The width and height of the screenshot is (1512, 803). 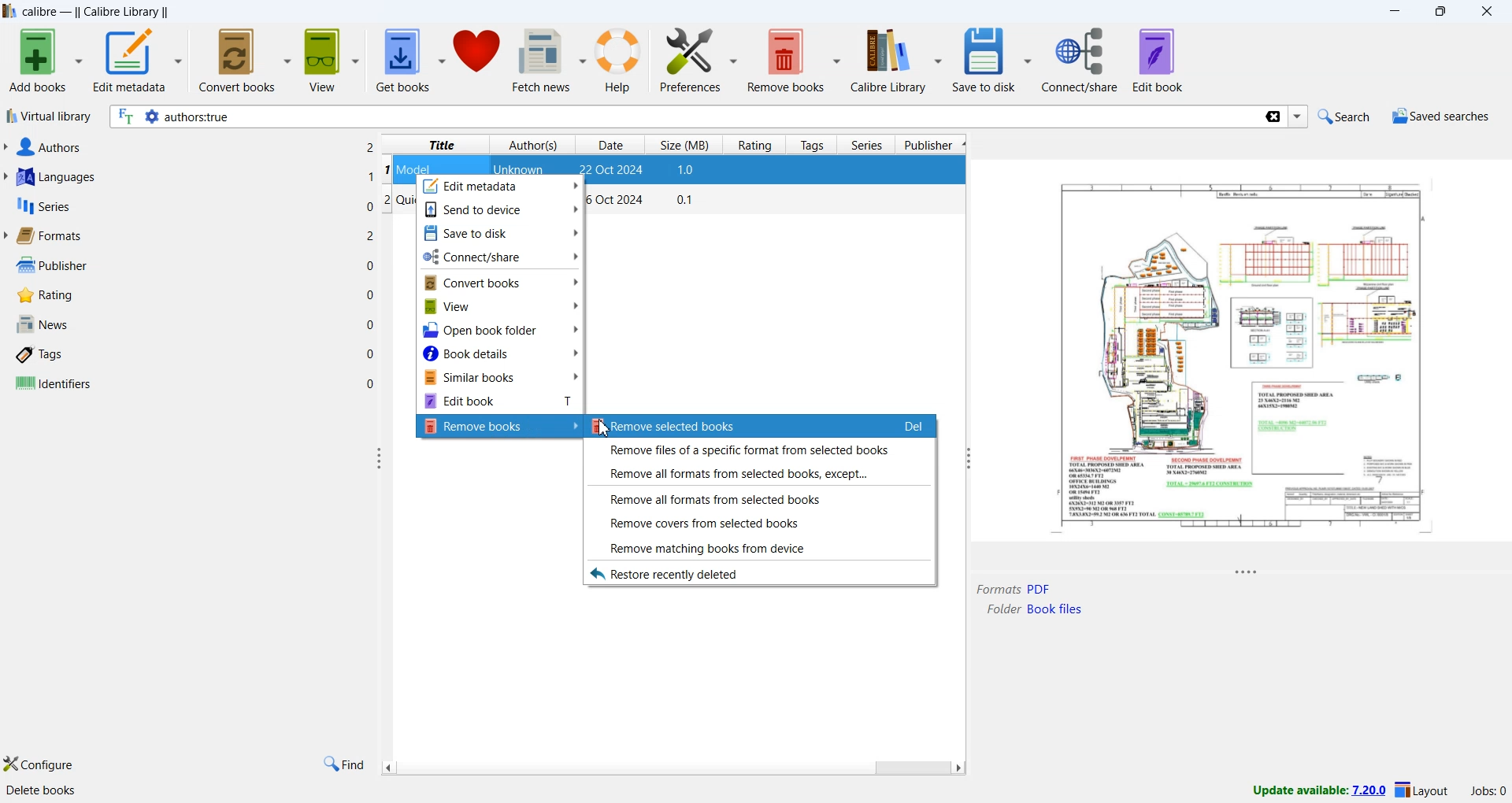 What do you see at coordinates (814, 145) in the screenshot?
I see `tags` at bounding box center [814, 145].